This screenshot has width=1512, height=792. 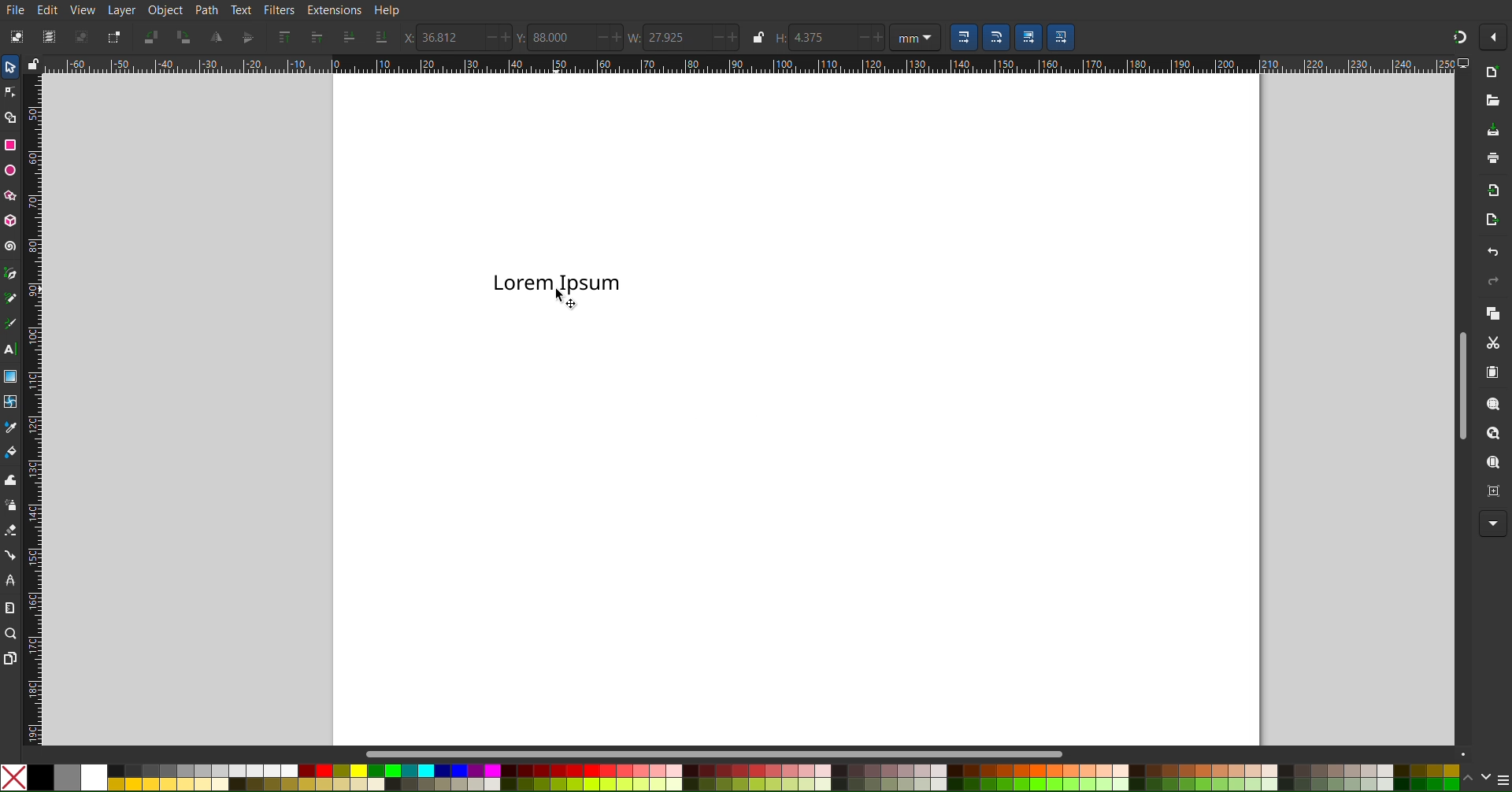 What do you see at coordinates (1489, 188) in the screenshot?
I see `Import BitMap` at bounding box center [1489, 188].